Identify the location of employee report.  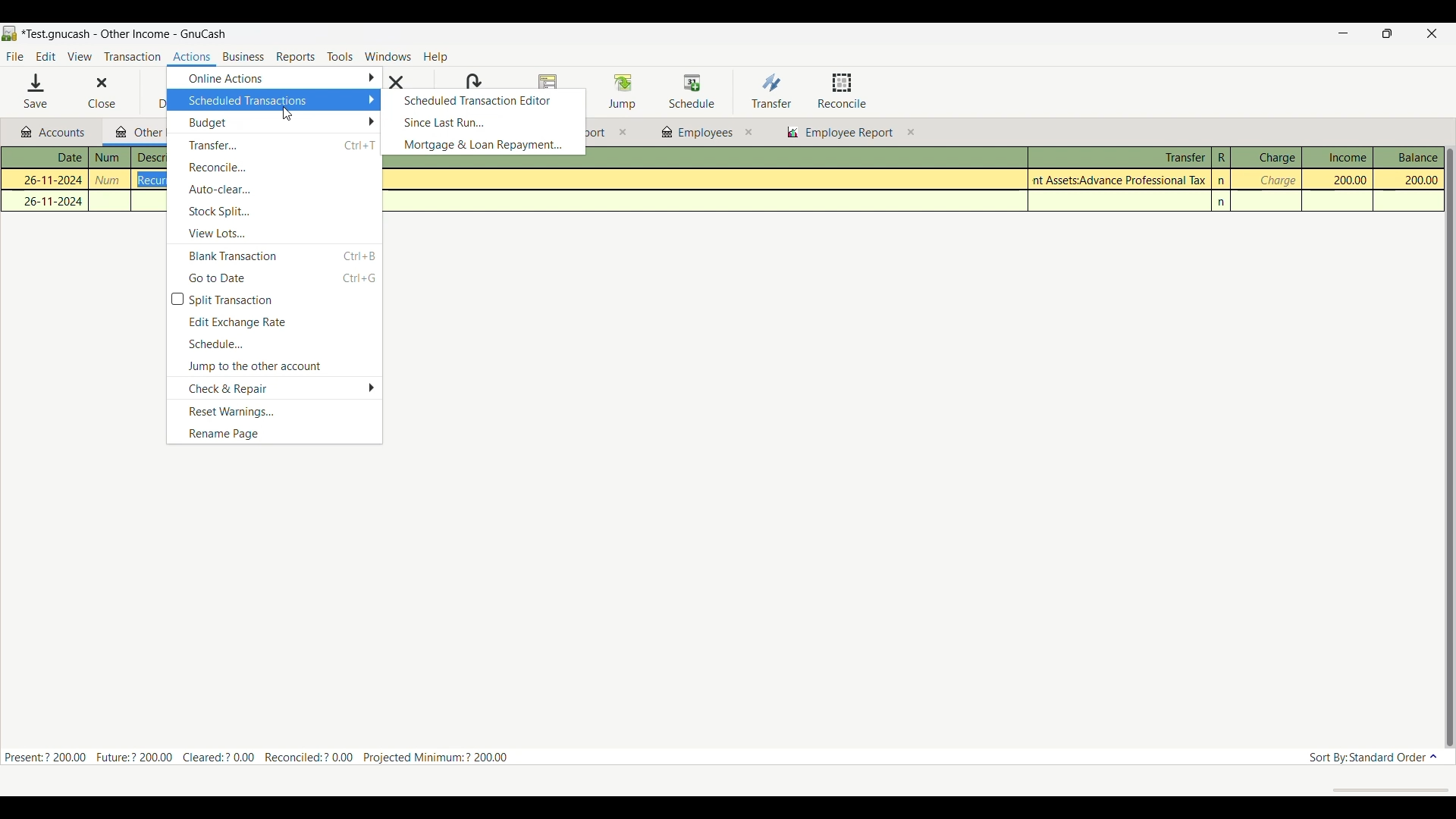
(848, 134).